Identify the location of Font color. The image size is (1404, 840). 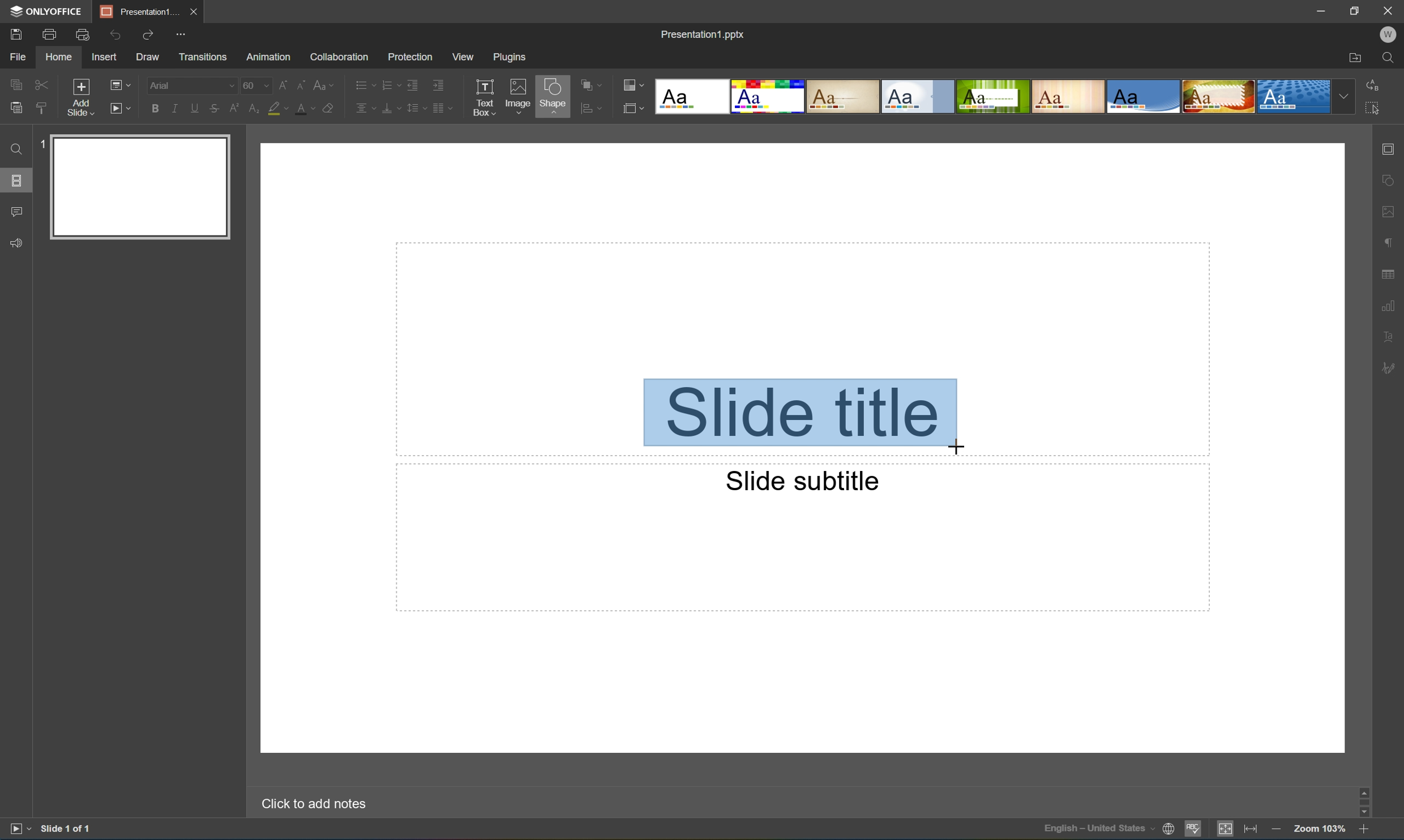
(307, 110).